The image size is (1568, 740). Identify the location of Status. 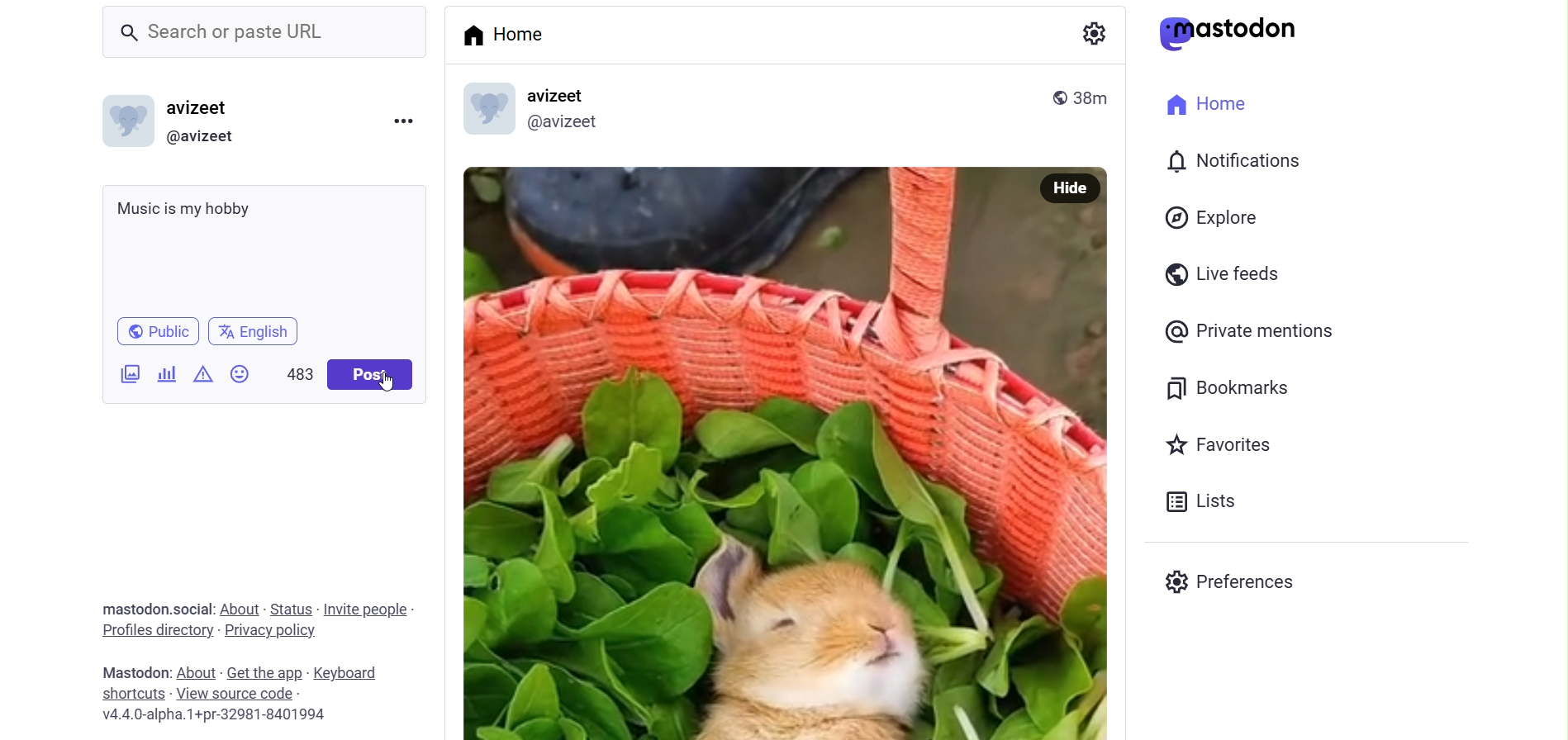
(292, 610).